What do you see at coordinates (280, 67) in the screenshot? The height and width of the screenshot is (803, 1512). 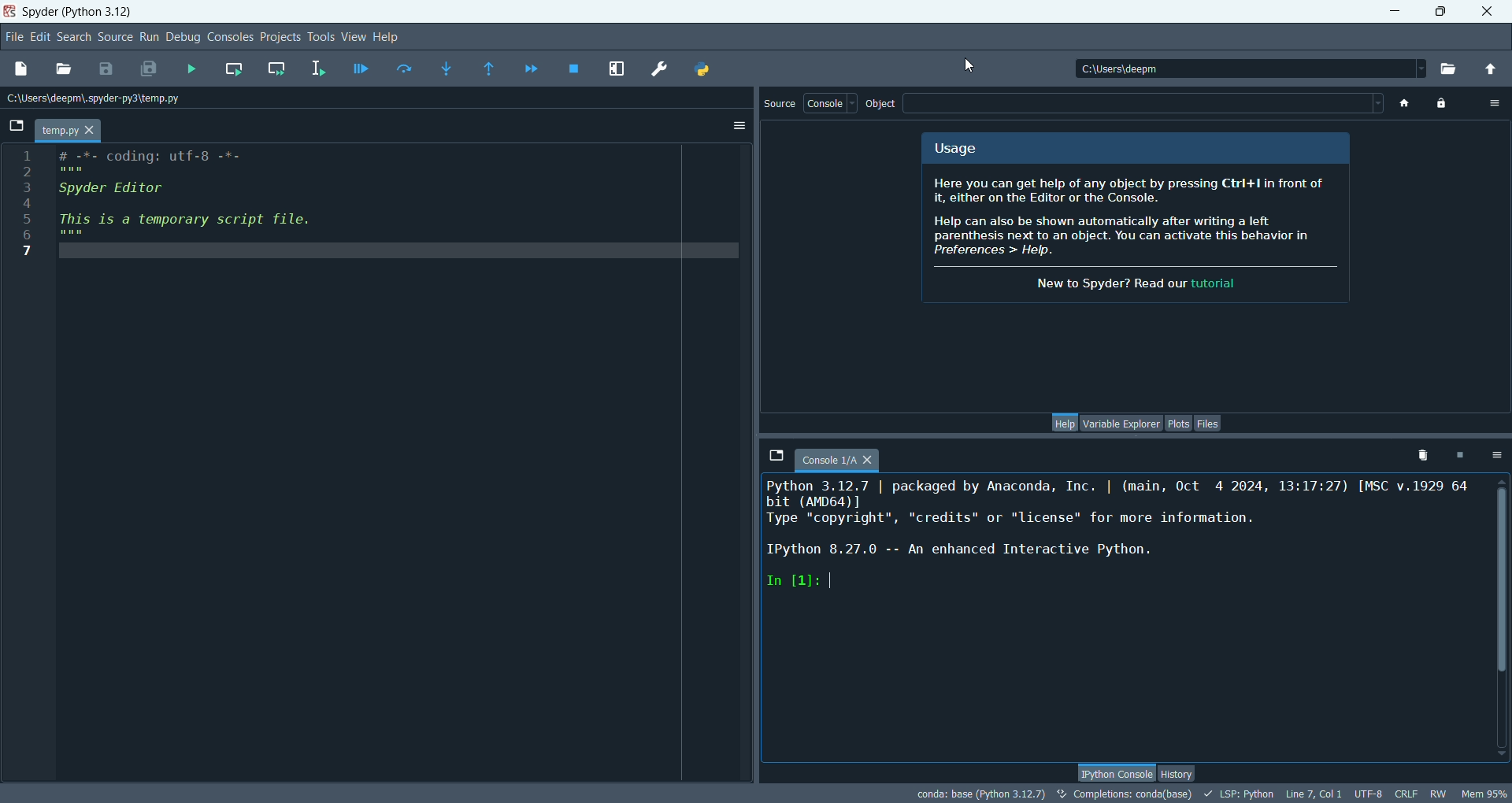 I see `run current cell and go to next one` at bounding box center [280, 67].